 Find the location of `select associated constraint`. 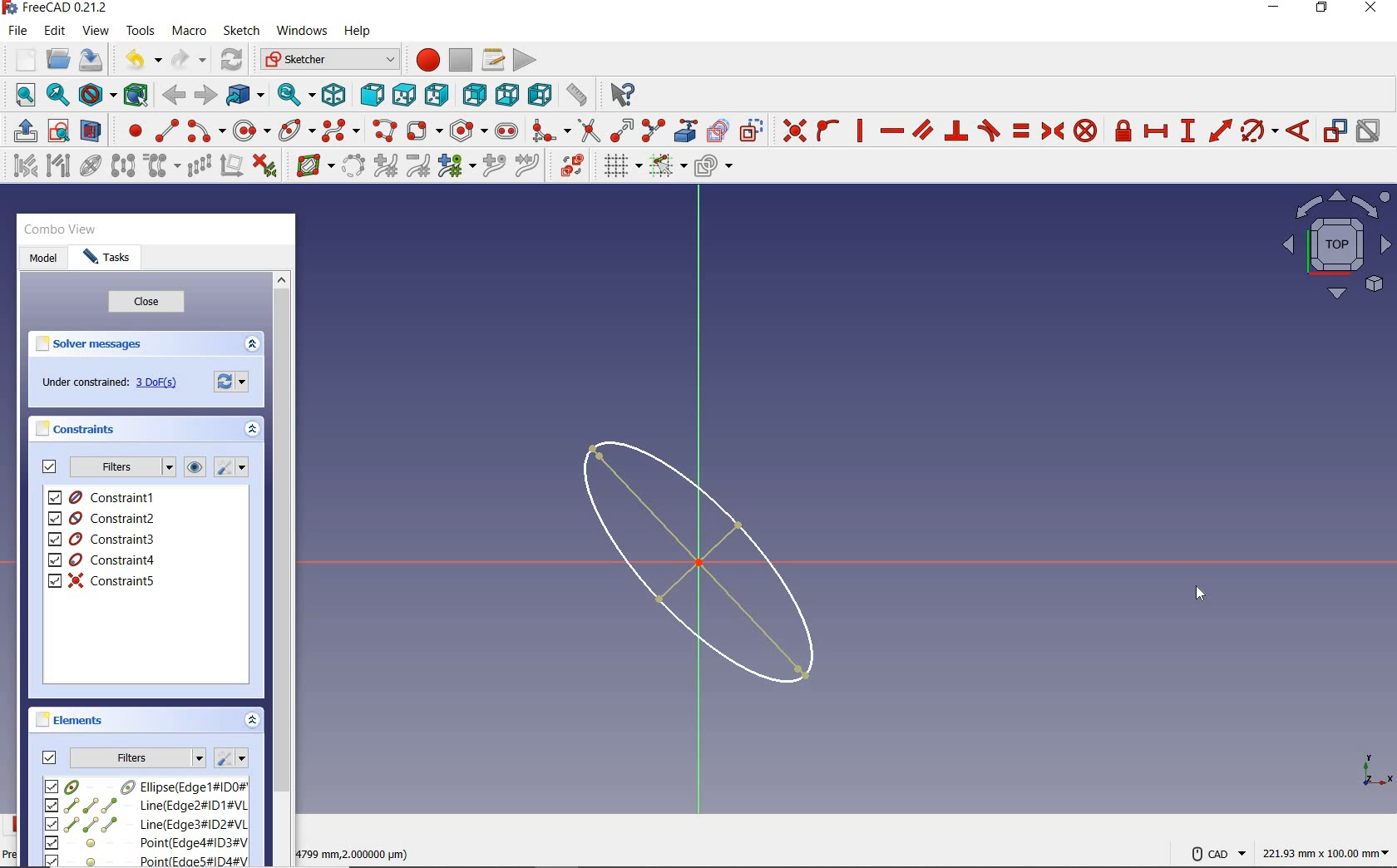

select associated constraint is located at coordinates (21, 165).